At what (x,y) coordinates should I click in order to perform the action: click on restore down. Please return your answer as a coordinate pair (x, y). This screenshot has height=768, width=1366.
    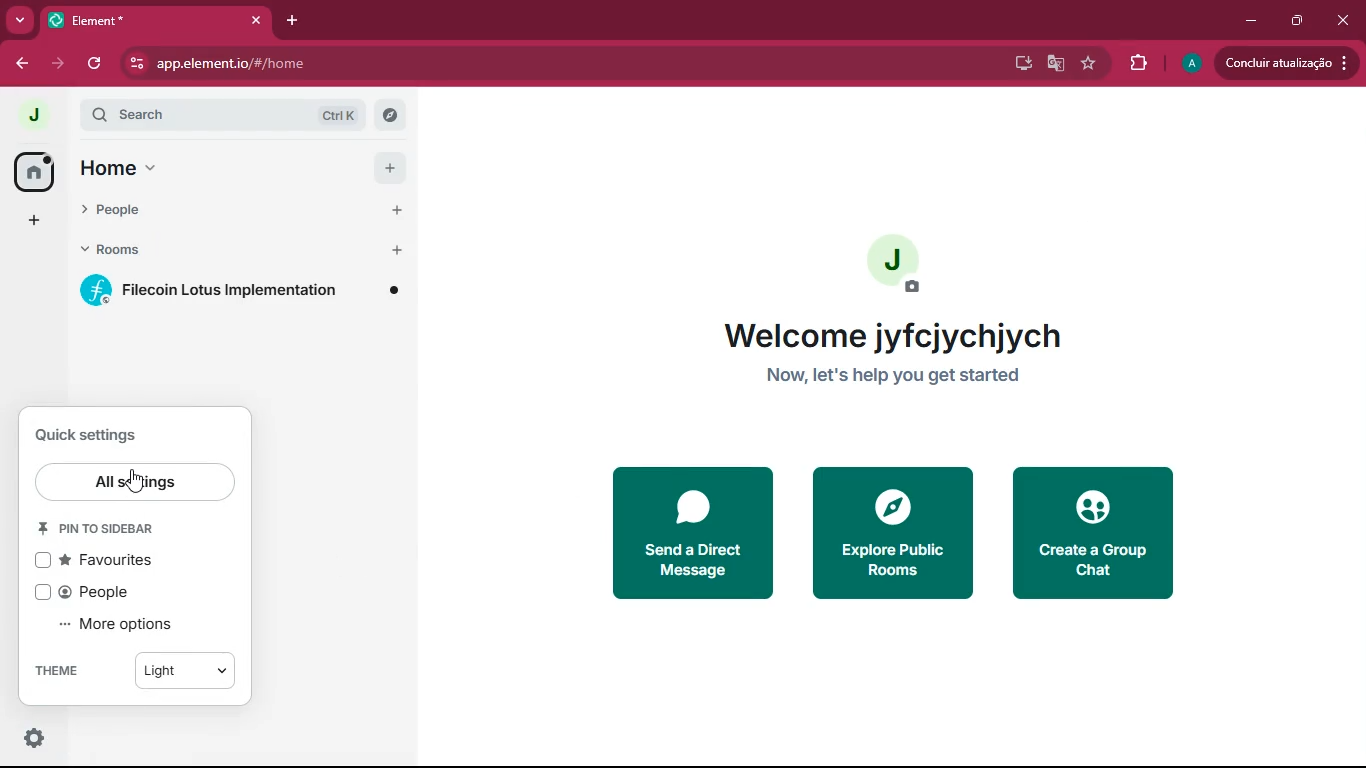
    Looking at the image, I should click on (1296, 22).